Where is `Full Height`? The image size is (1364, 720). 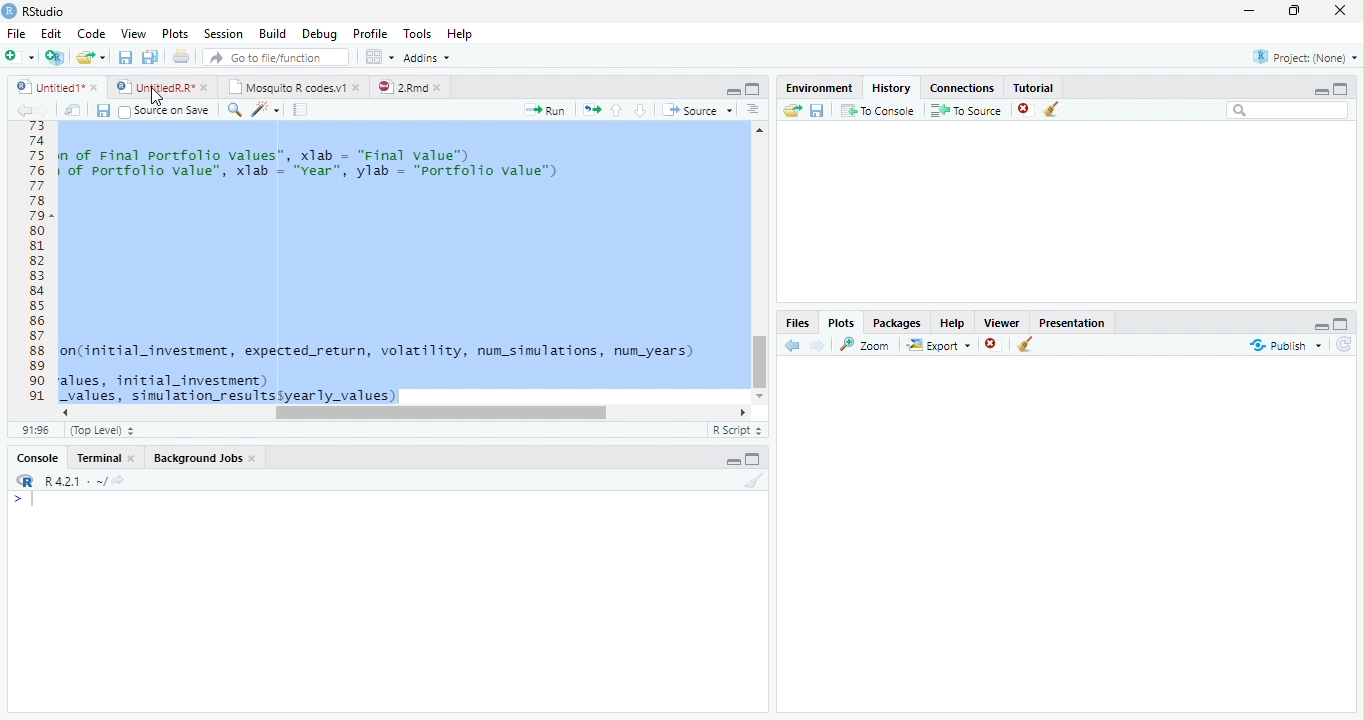
Full Height is located at coordinates (1342, 87).